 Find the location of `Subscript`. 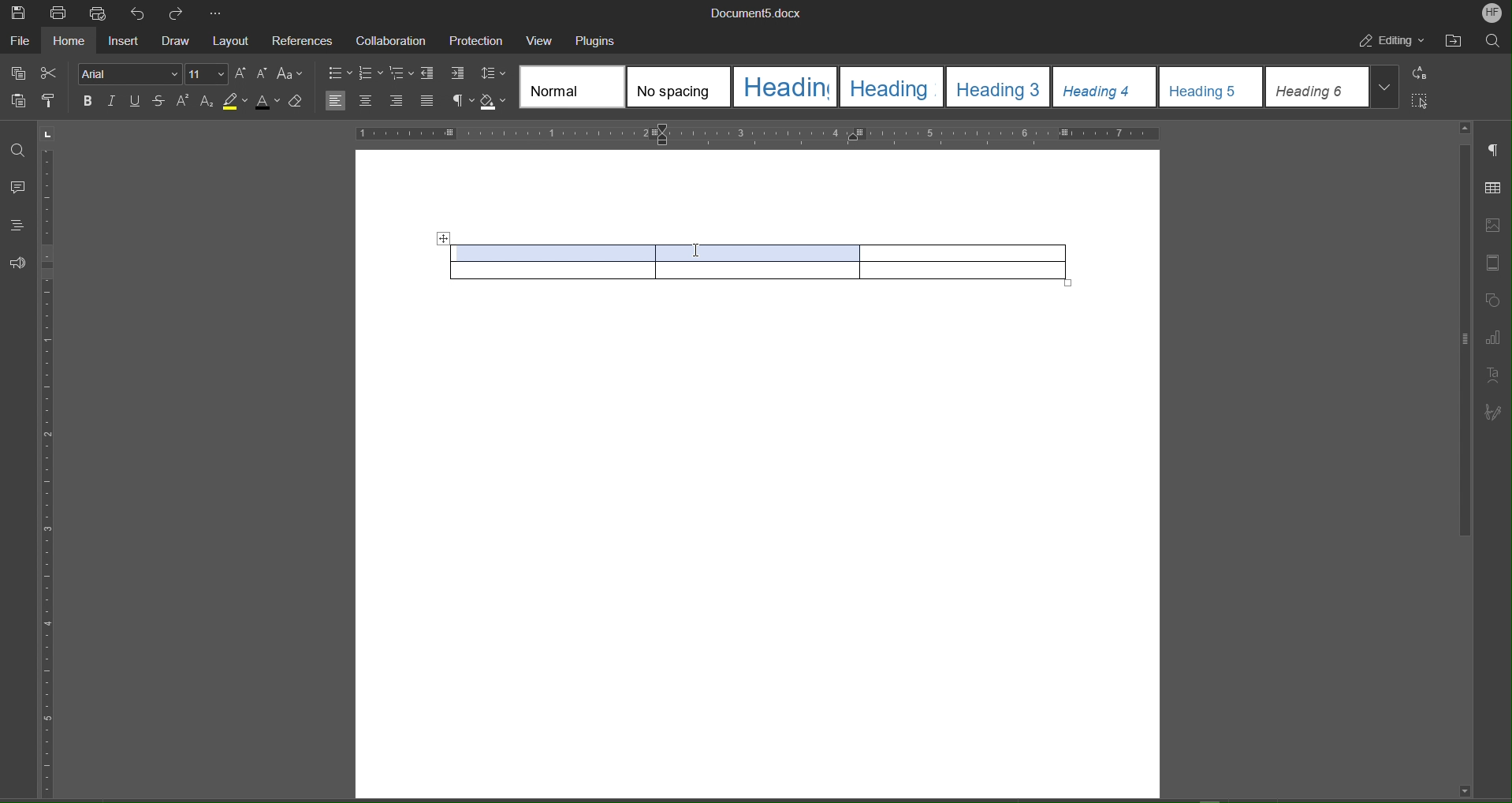

Subscript is located at coordinates (208, 102).